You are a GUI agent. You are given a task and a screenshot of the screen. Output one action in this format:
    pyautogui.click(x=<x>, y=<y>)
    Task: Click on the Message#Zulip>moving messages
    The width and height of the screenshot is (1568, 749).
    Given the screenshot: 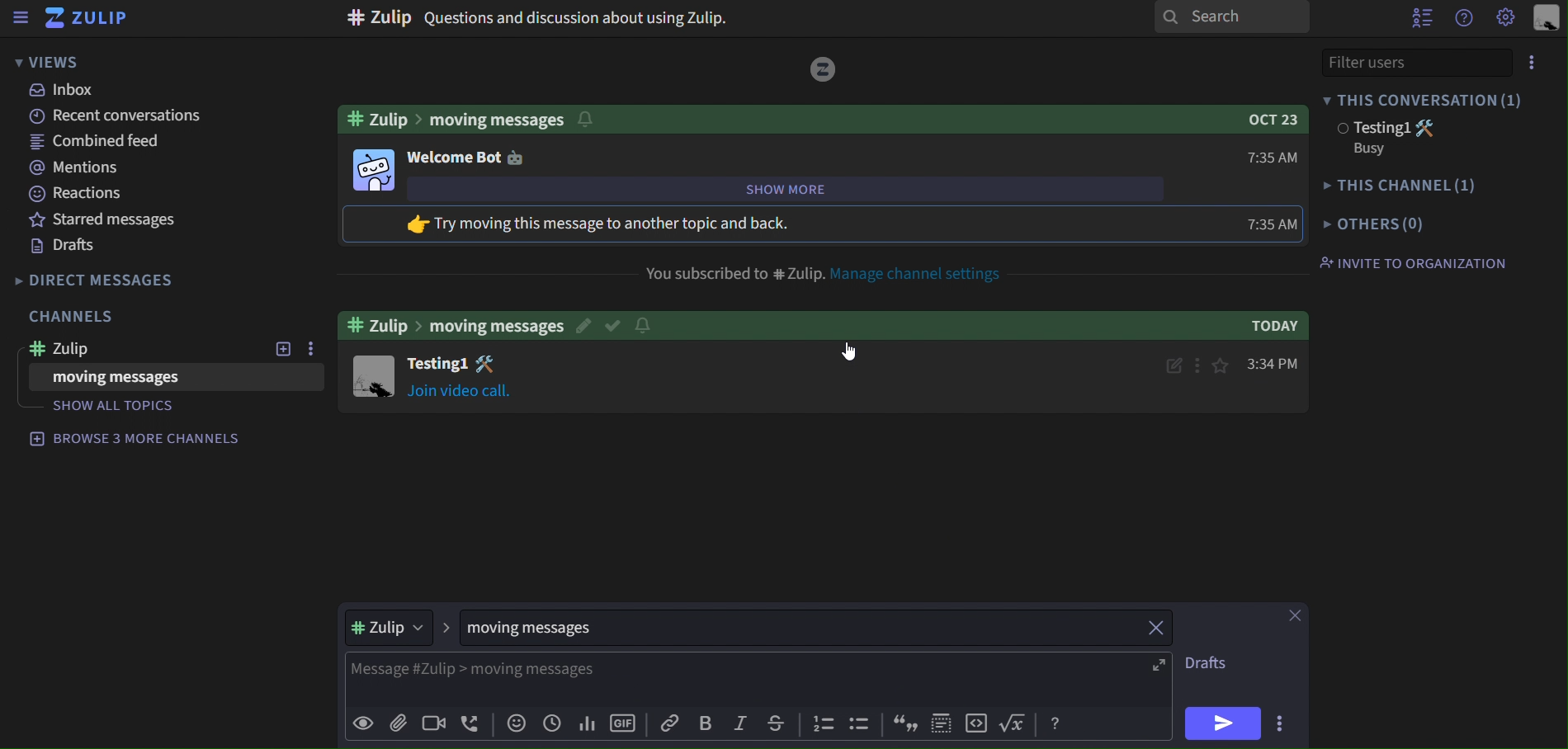 What is the action you would take?
    pyautogui.click(x=667, y=669)
    